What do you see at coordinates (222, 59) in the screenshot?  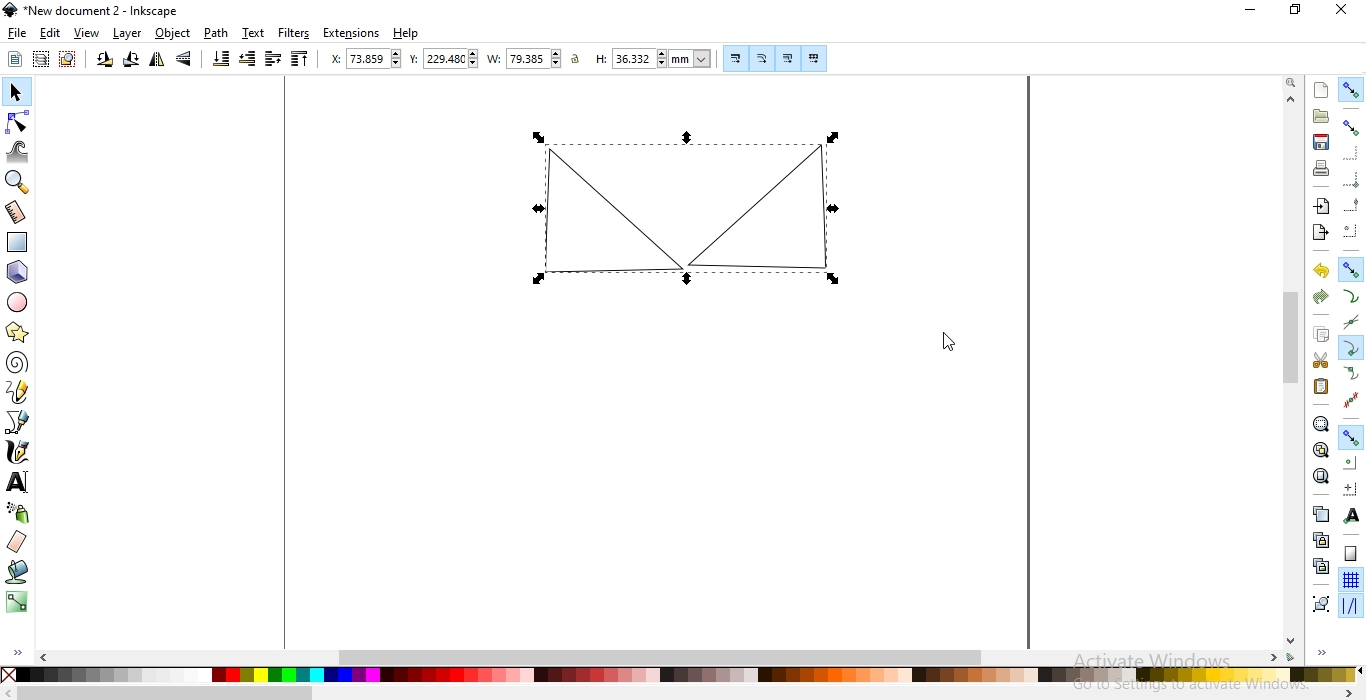 I see `lower selection to bottom` at bounding box center [222, 59].